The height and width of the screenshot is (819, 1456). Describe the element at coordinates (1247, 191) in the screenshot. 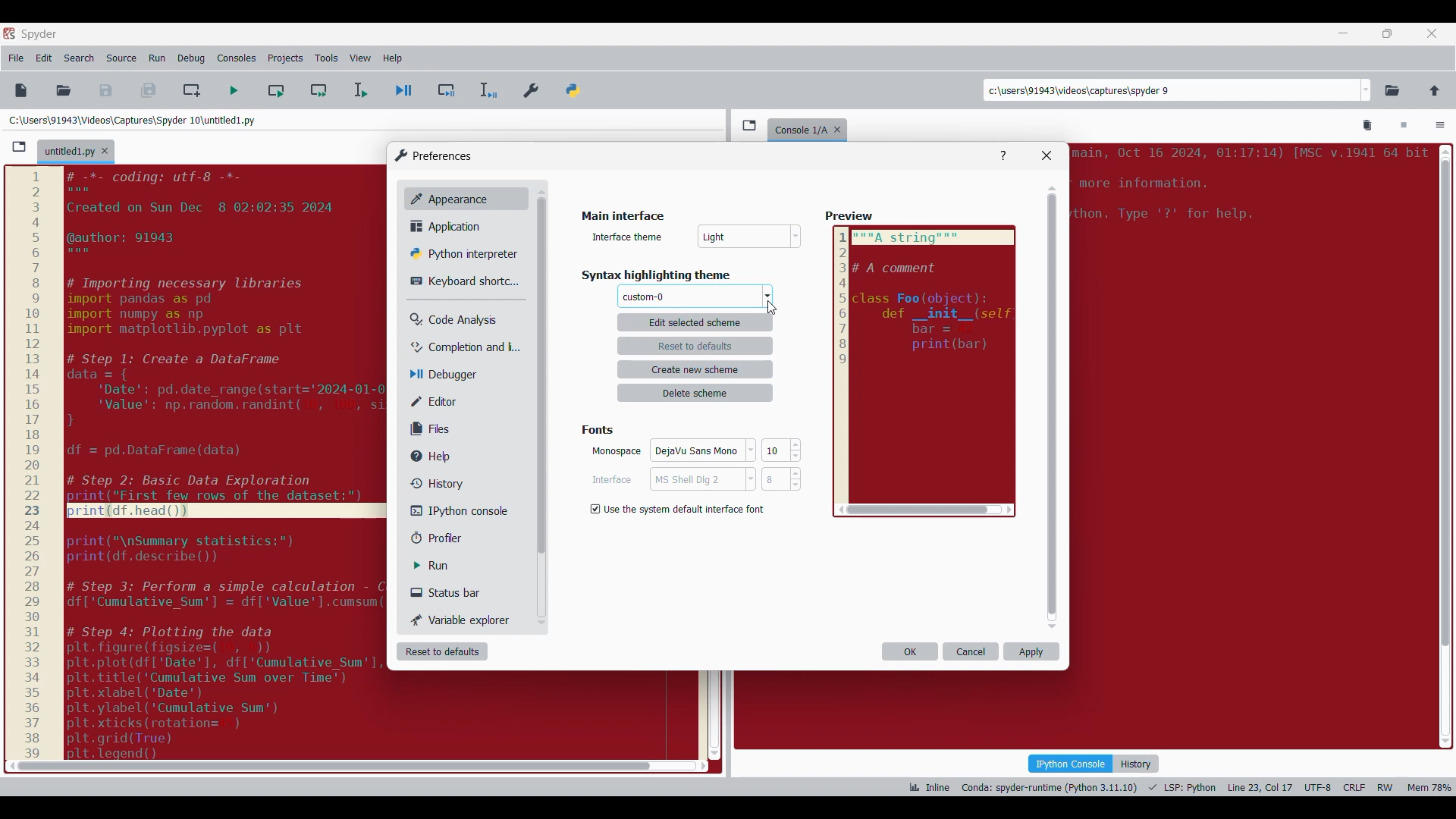

I see `code` at that location.